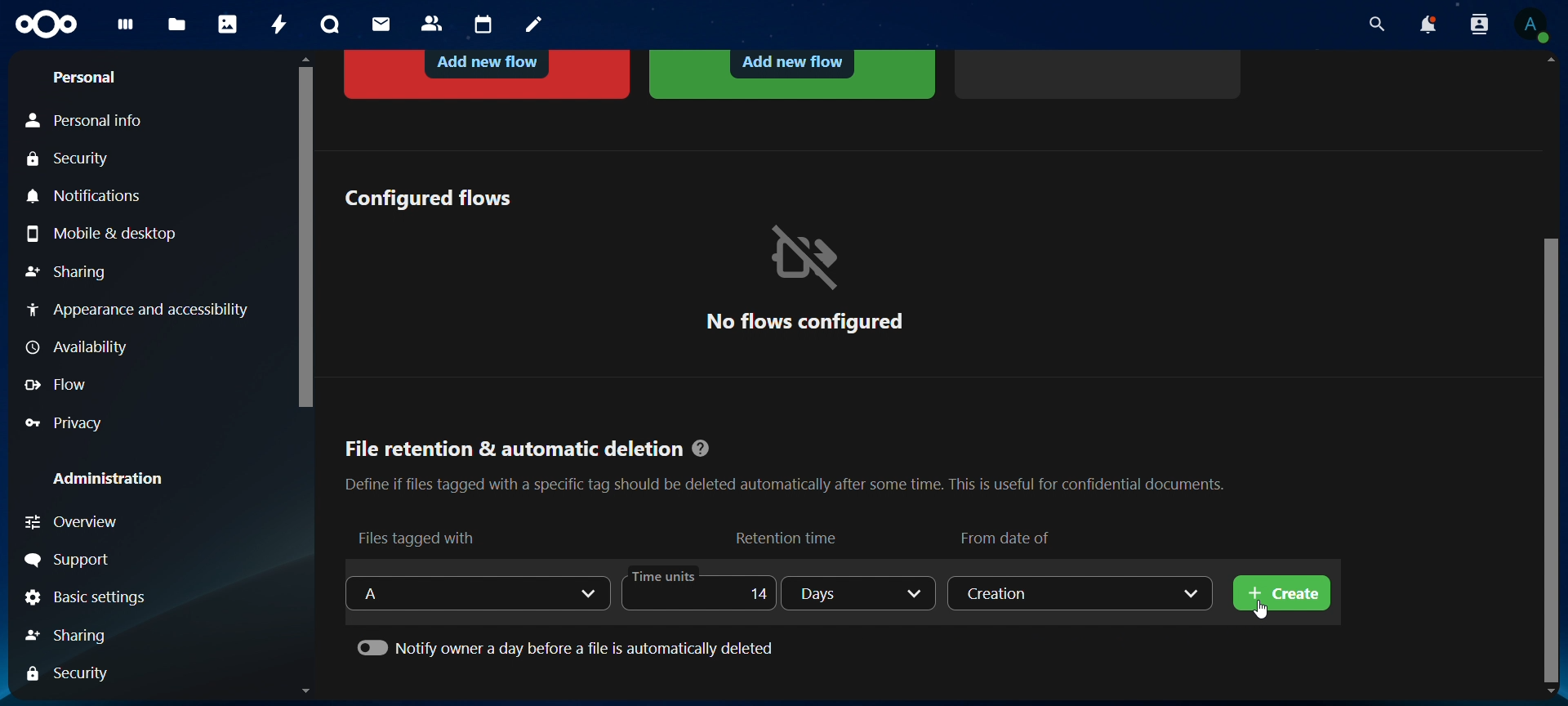 Image resolution: width=1568 pixels, height=706 pixels. Describe the element at coordinates (136, 309) in the screenshot. I see `appearance and accessibility` at that location.